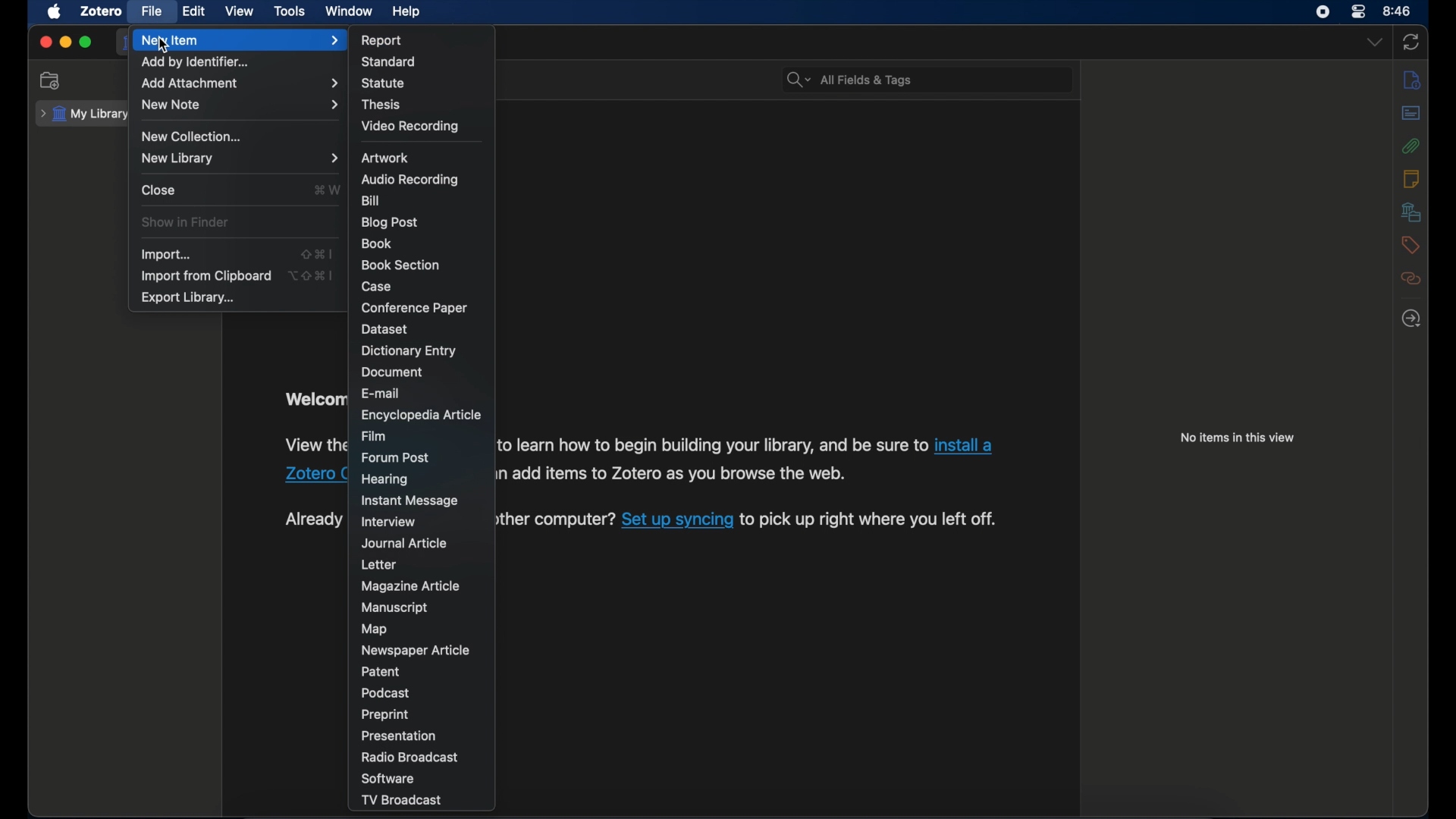  What do you see at coordinates (49, 80) in the screenshot?
I see `new collection` at bounding box center [49, 80].